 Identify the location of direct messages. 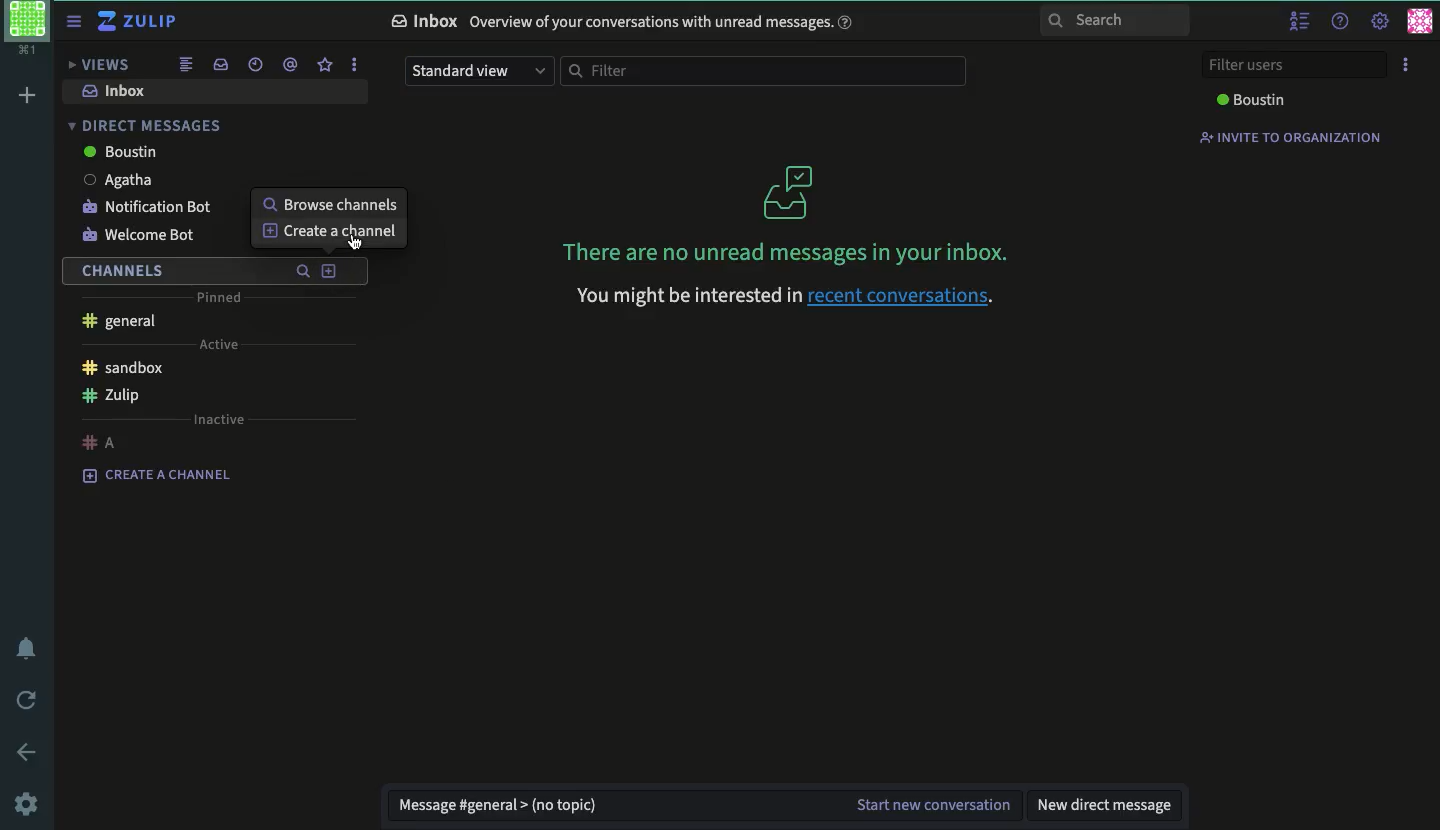
(137, 127).